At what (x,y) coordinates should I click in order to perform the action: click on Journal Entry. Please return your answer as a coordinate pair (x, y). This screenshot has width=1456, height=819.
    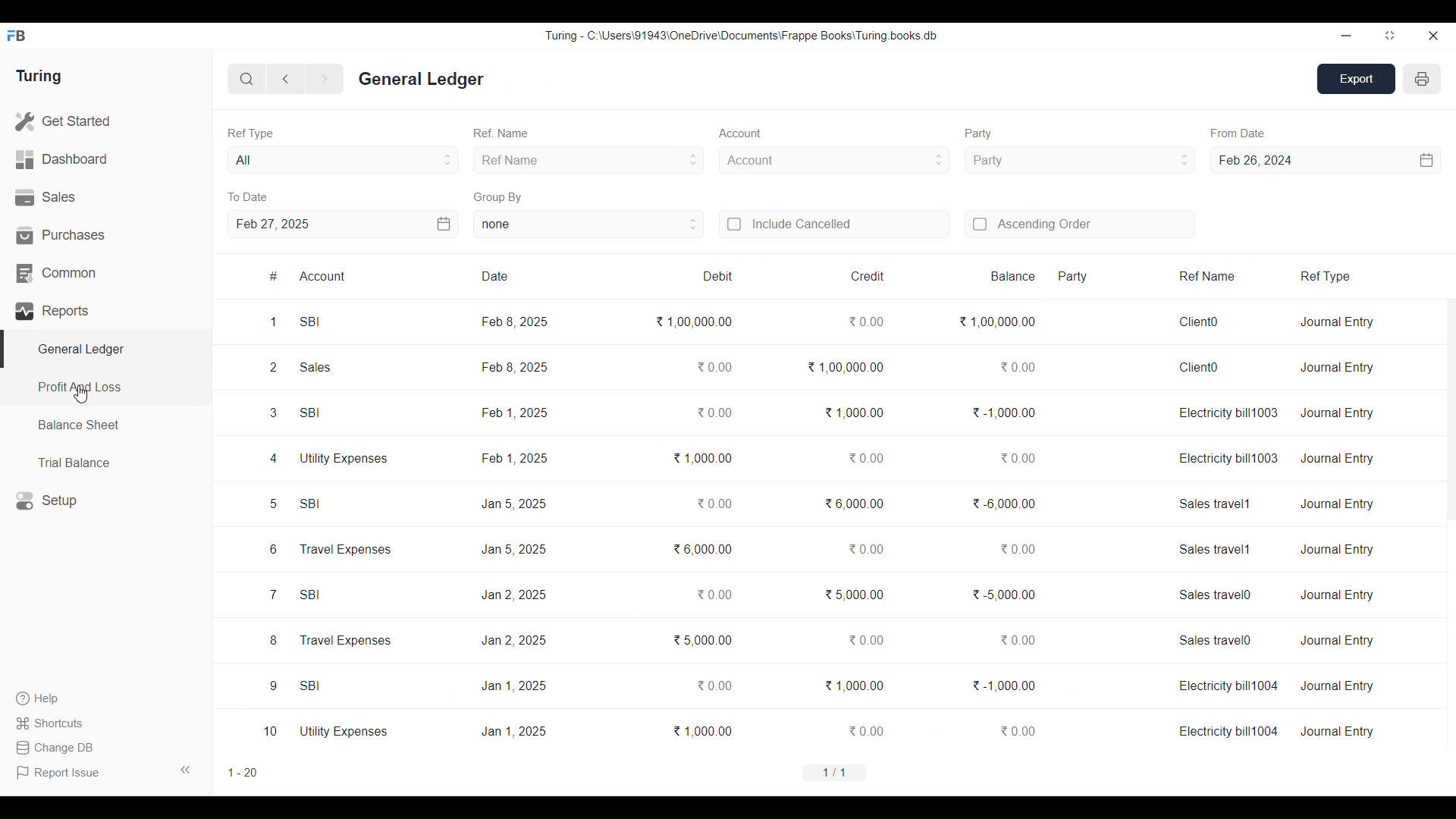
    Looking at the image, I should click on (1338, 732).